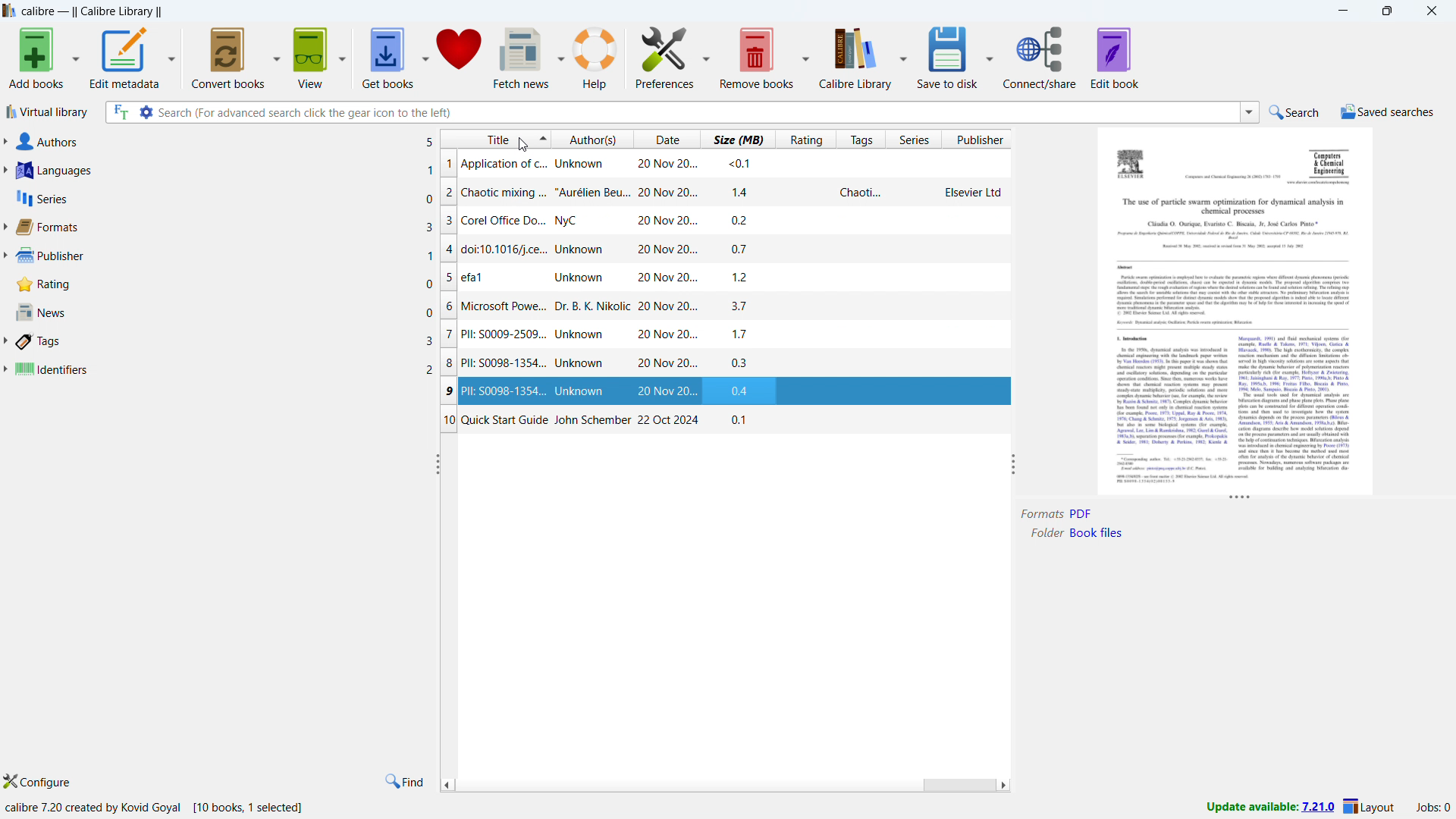 Image resolution: width=1456 pixels, height=819 pixels. Describe the element at coordinates (460, 54) in the screenshot. I see `donate to support calibre` at that location.